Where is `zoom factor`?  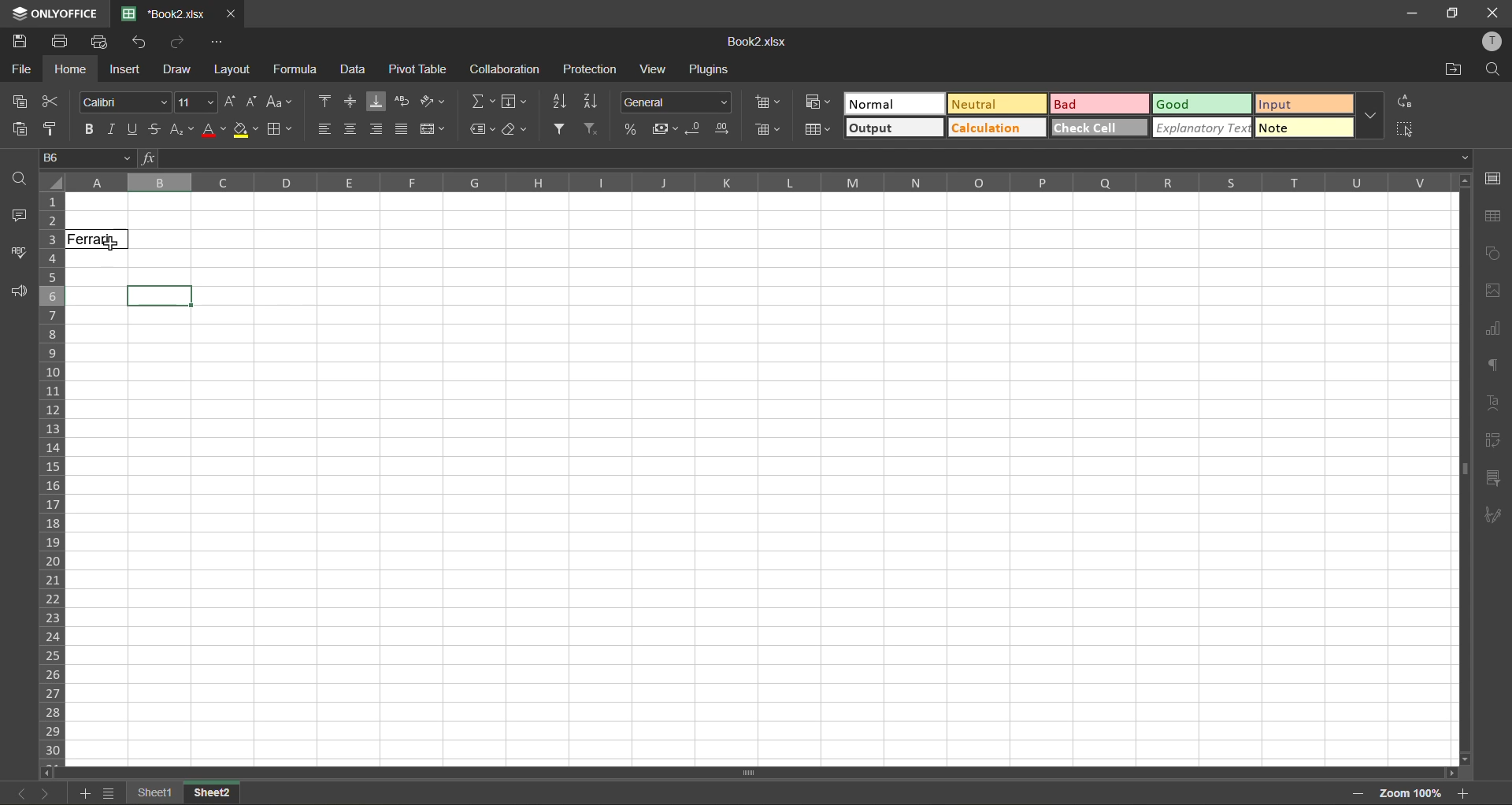 zoom factor is located at coordinates (1409, 796).